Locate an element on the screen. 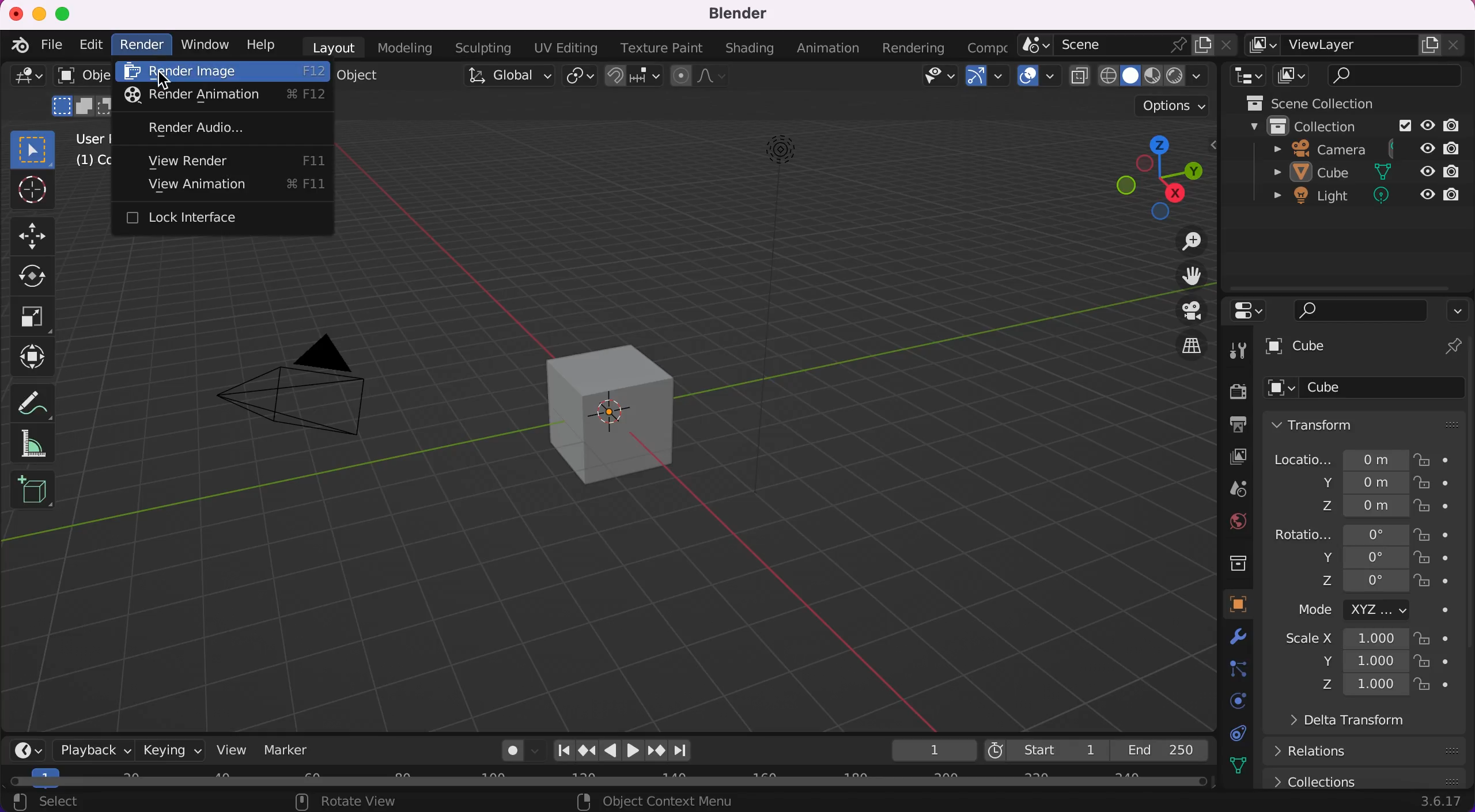 The width and height of the screenshot is (1475, 812). y 0 is located at coordinates (1350, 557).